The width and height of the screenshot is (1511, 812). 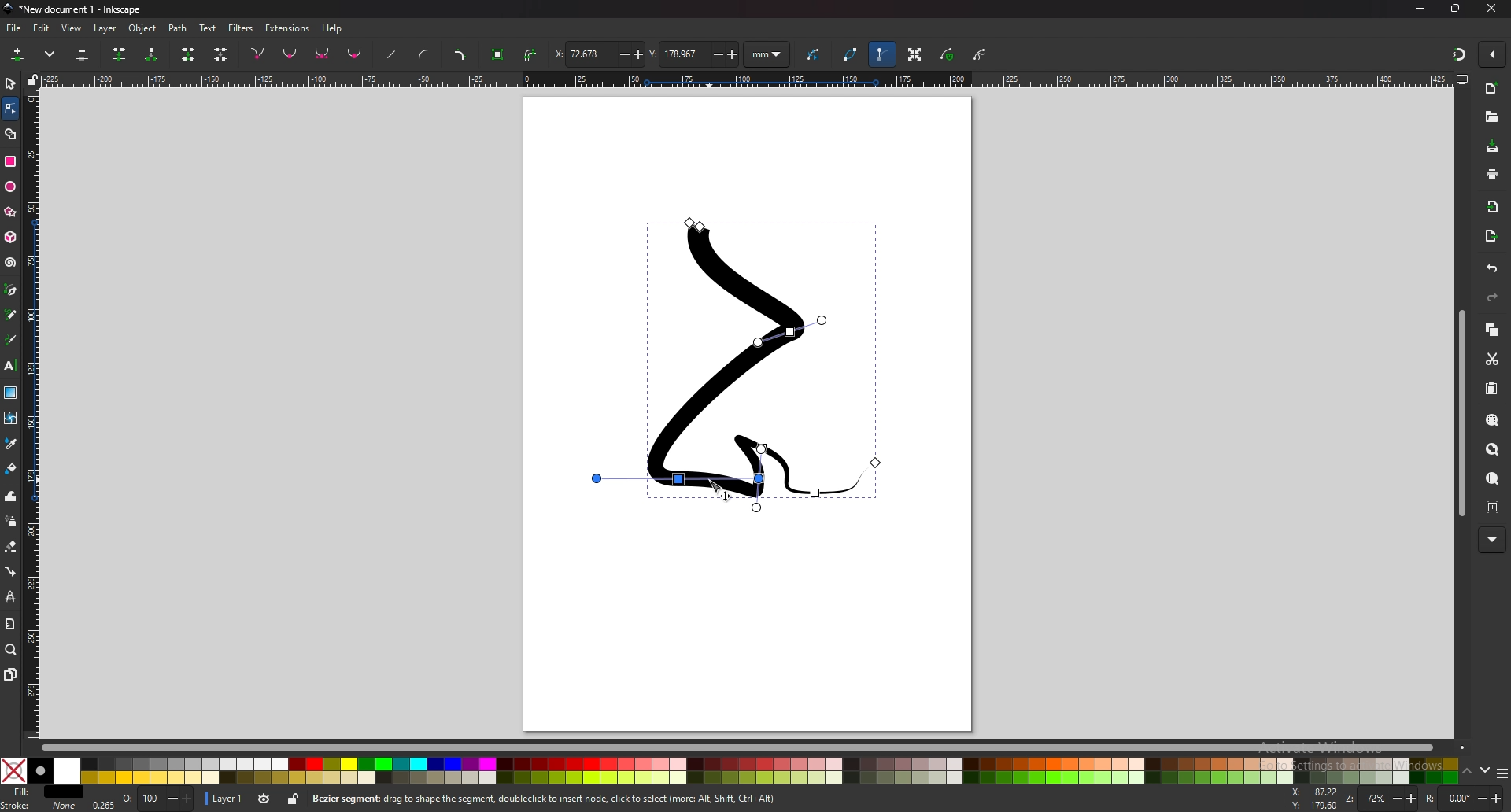 I want to click on print, so click(x=1493, y=175).